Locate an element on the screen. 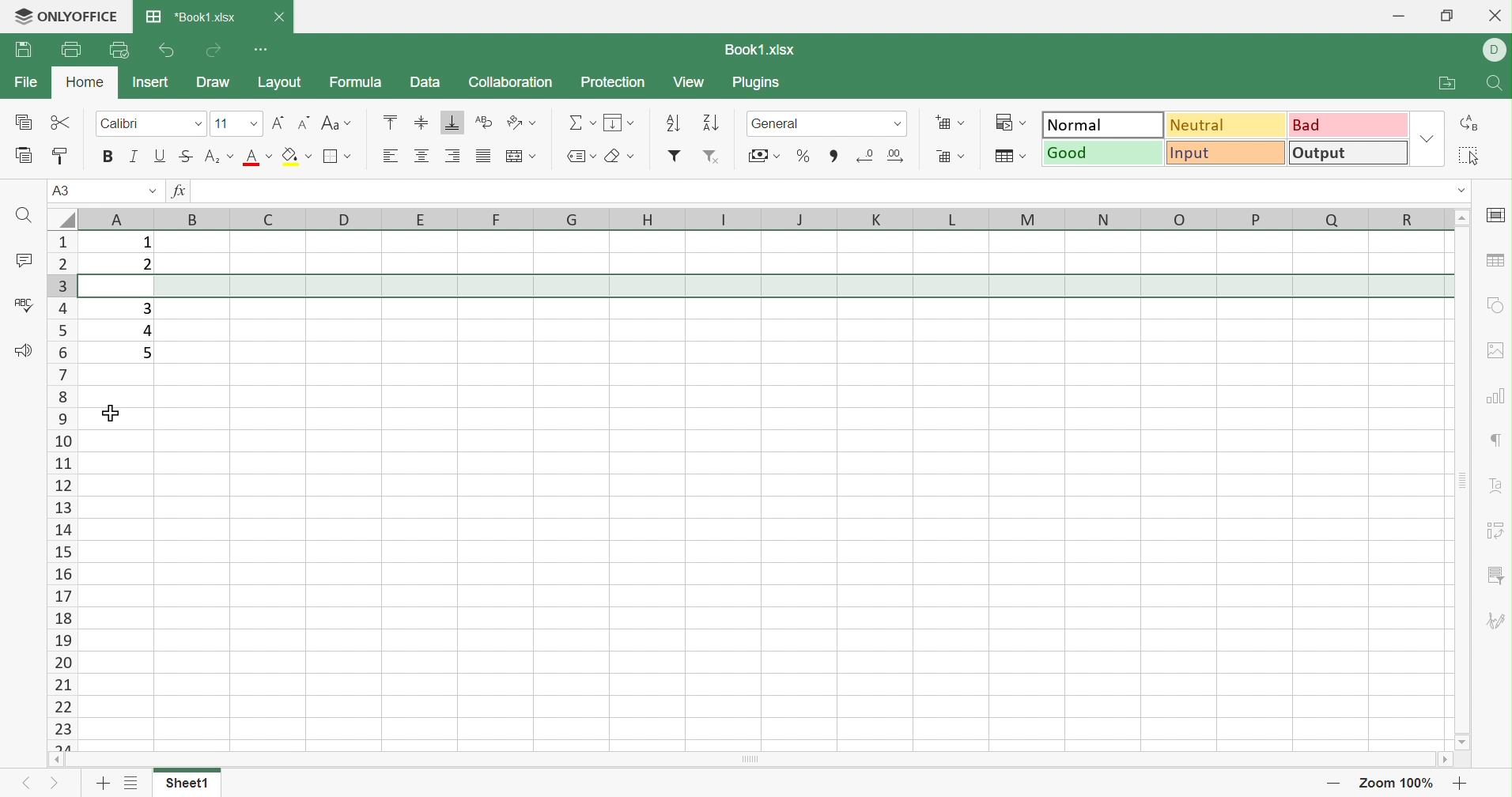 Image resolution: width=1512 pixels, height=797 pixels. Decrement cells is located at coordinates (865, 153).